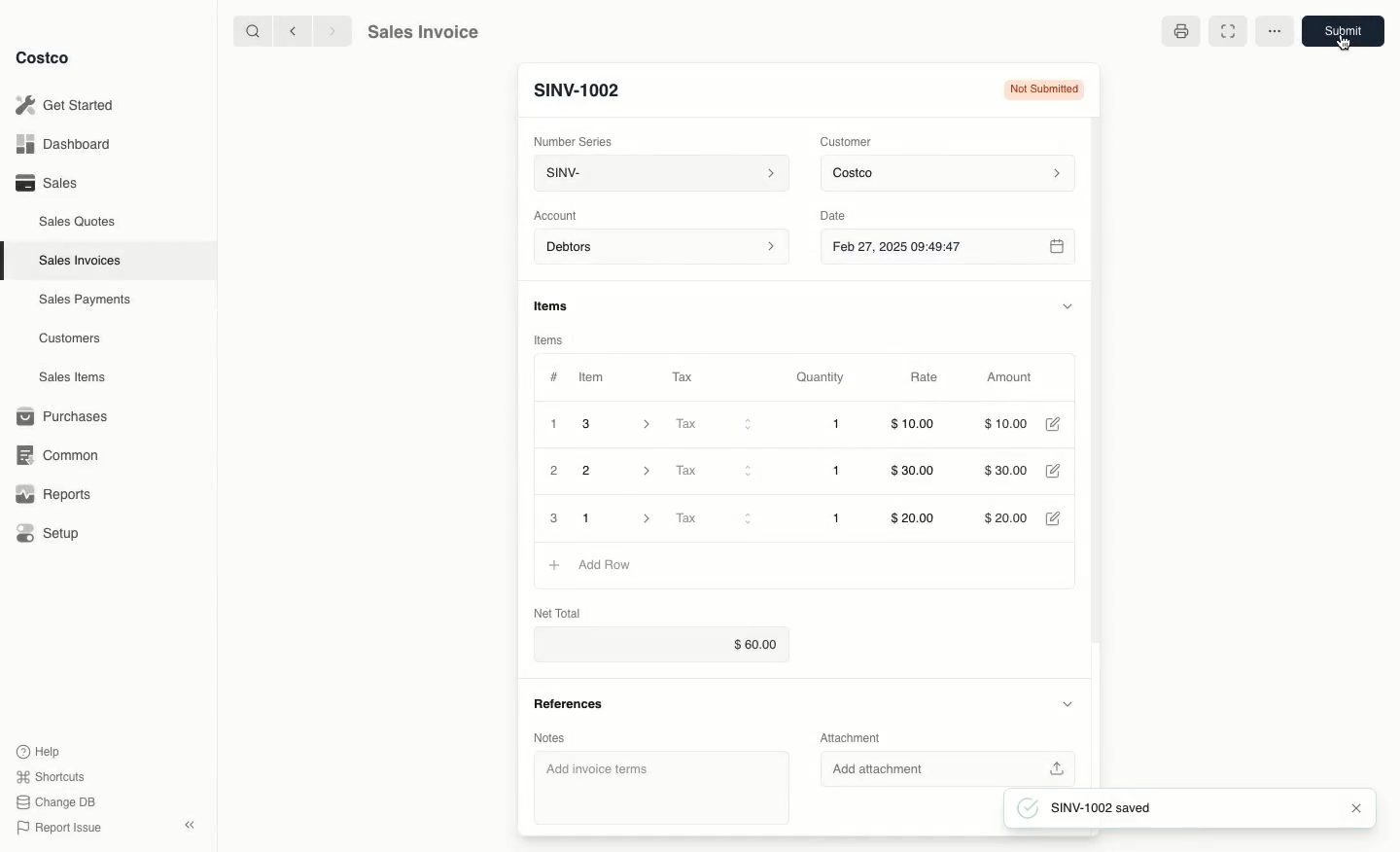 The height and width of the screenshot is (852, 1400). Describe the element at coordinates (75, 375) in the screenshot. I see `Sales Items` at that location.